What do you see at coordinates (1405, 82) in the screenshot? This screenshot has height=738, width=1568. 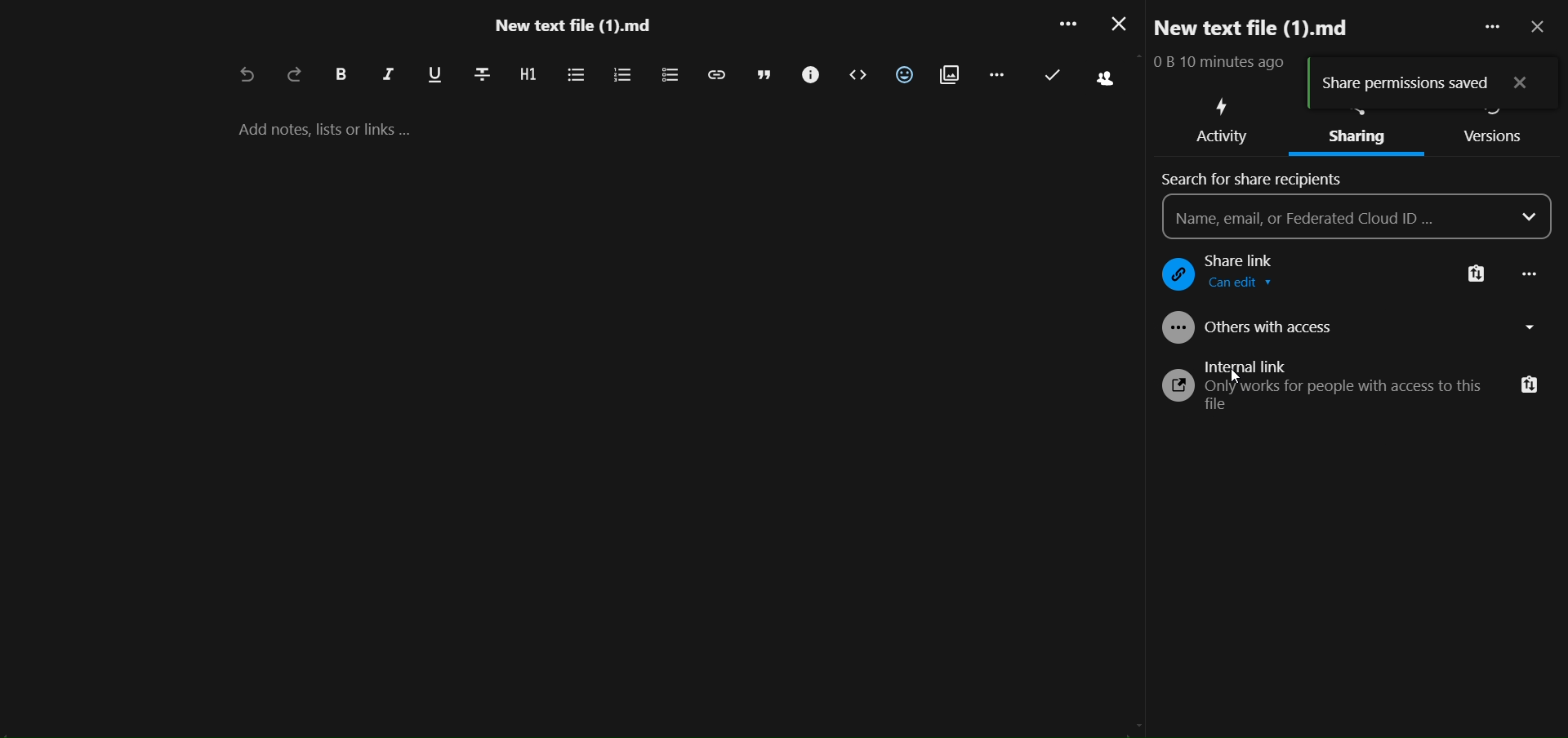 I see `share permission saved` at bounding box center [1405, 82].